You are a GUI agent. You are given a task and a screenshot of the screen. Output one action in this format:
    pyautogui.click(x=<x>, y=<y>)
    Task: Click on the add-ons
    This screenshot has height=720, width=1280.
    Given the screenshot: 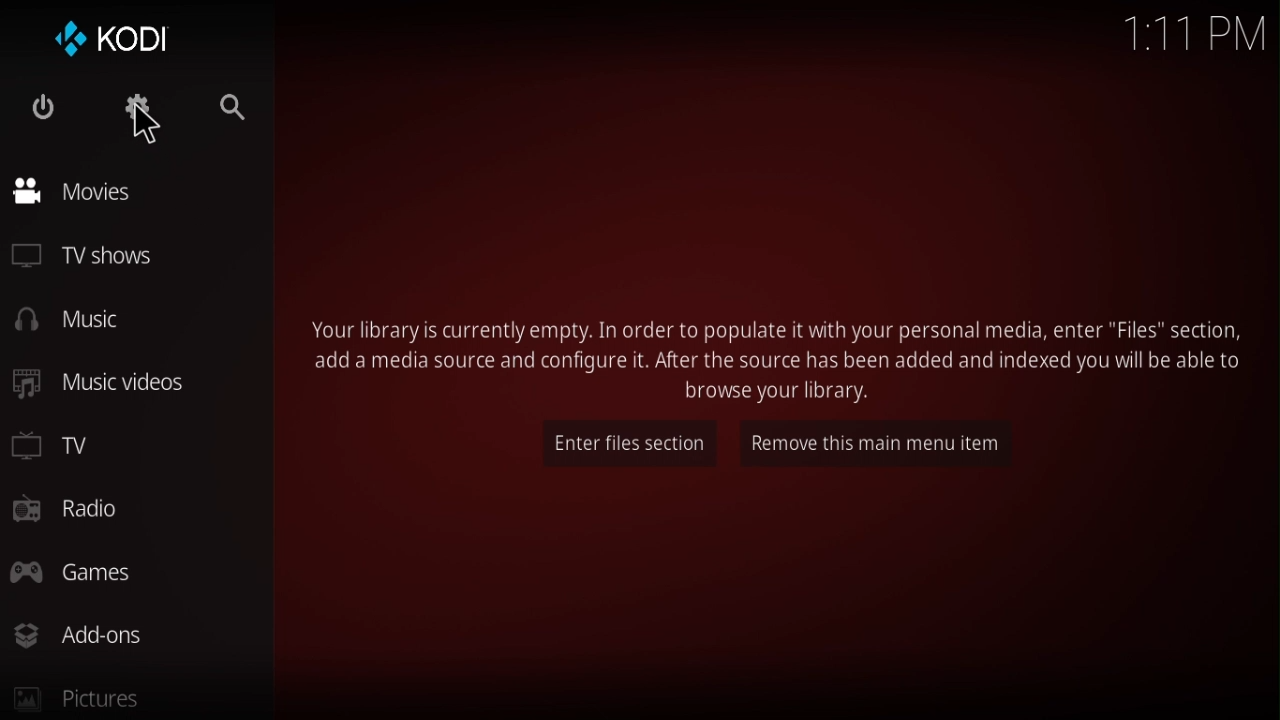 What is the action you would take?
    pyautogui.click(x=83, y=632)
    